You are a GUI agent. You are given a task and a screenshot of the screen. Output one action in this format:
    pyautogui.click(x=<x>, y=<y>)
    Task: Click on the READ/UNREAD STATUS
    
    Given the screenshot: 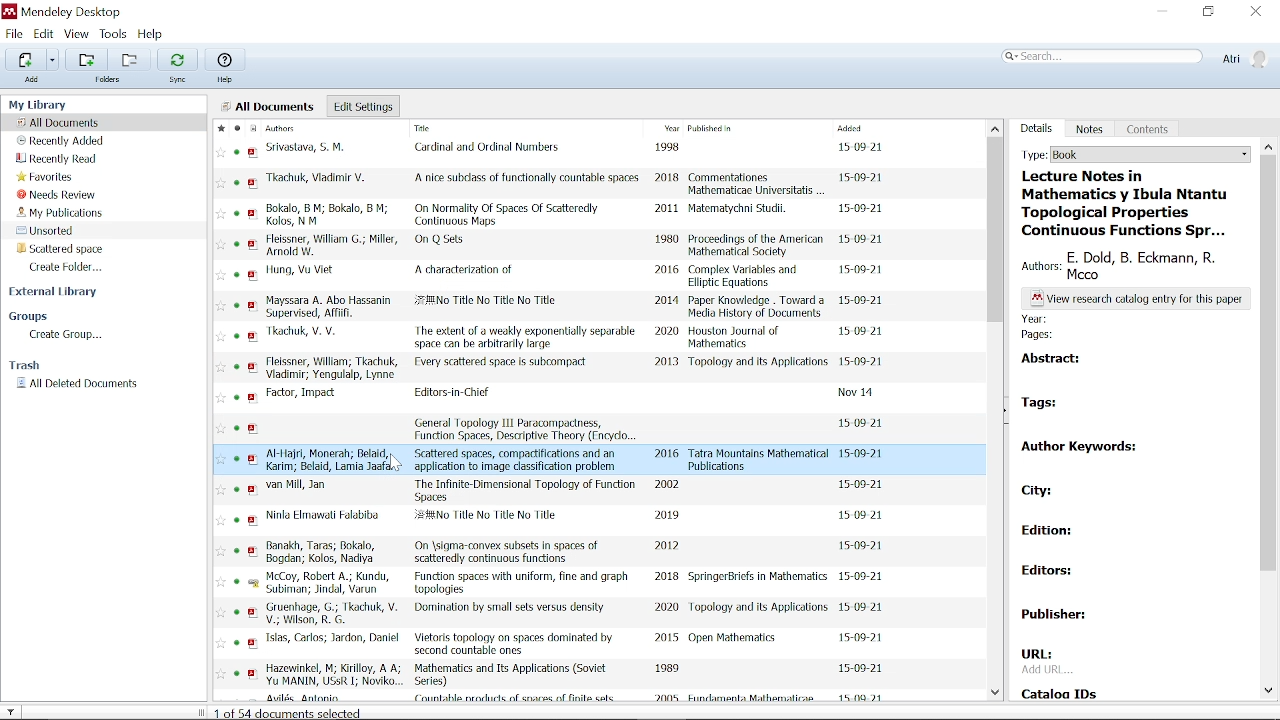 What is the action you would take?
    pyautogui.click(x=237, y=416)
    